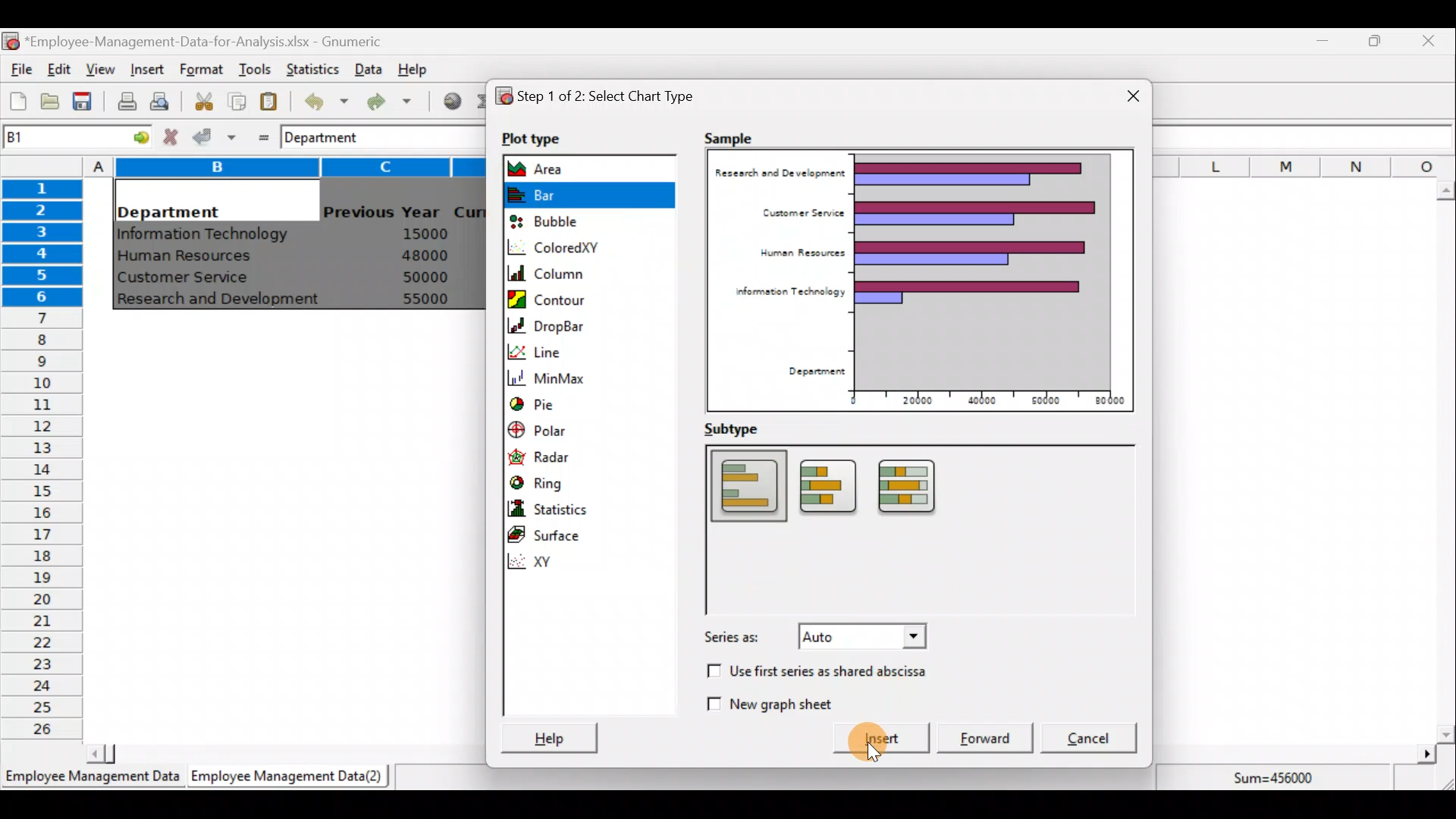 The height and width of the screenshot is (819, 1456). I want to click on Sample, so click(737, 134).